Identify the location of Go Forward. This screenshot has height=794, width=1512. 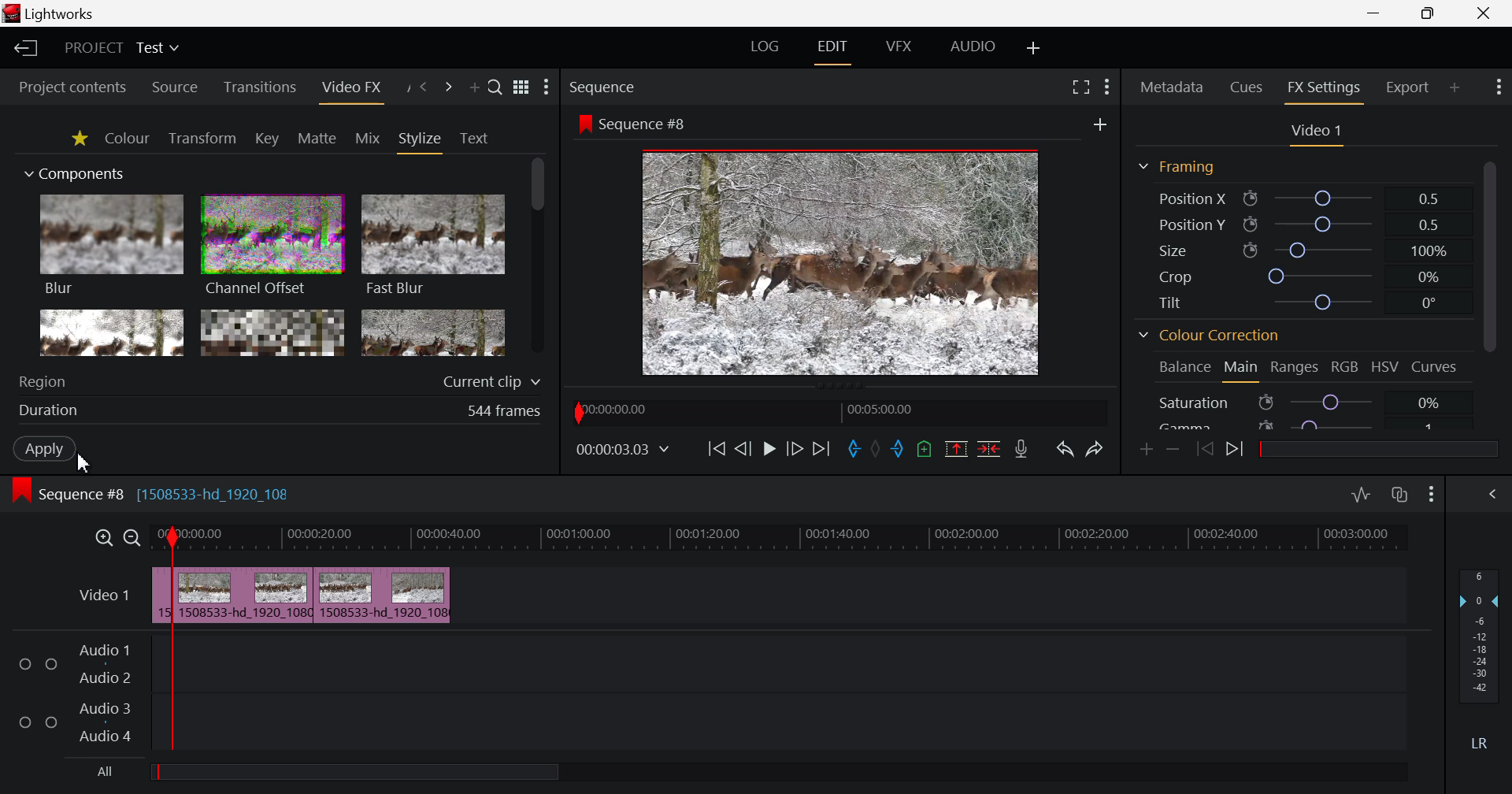
(795, 449).